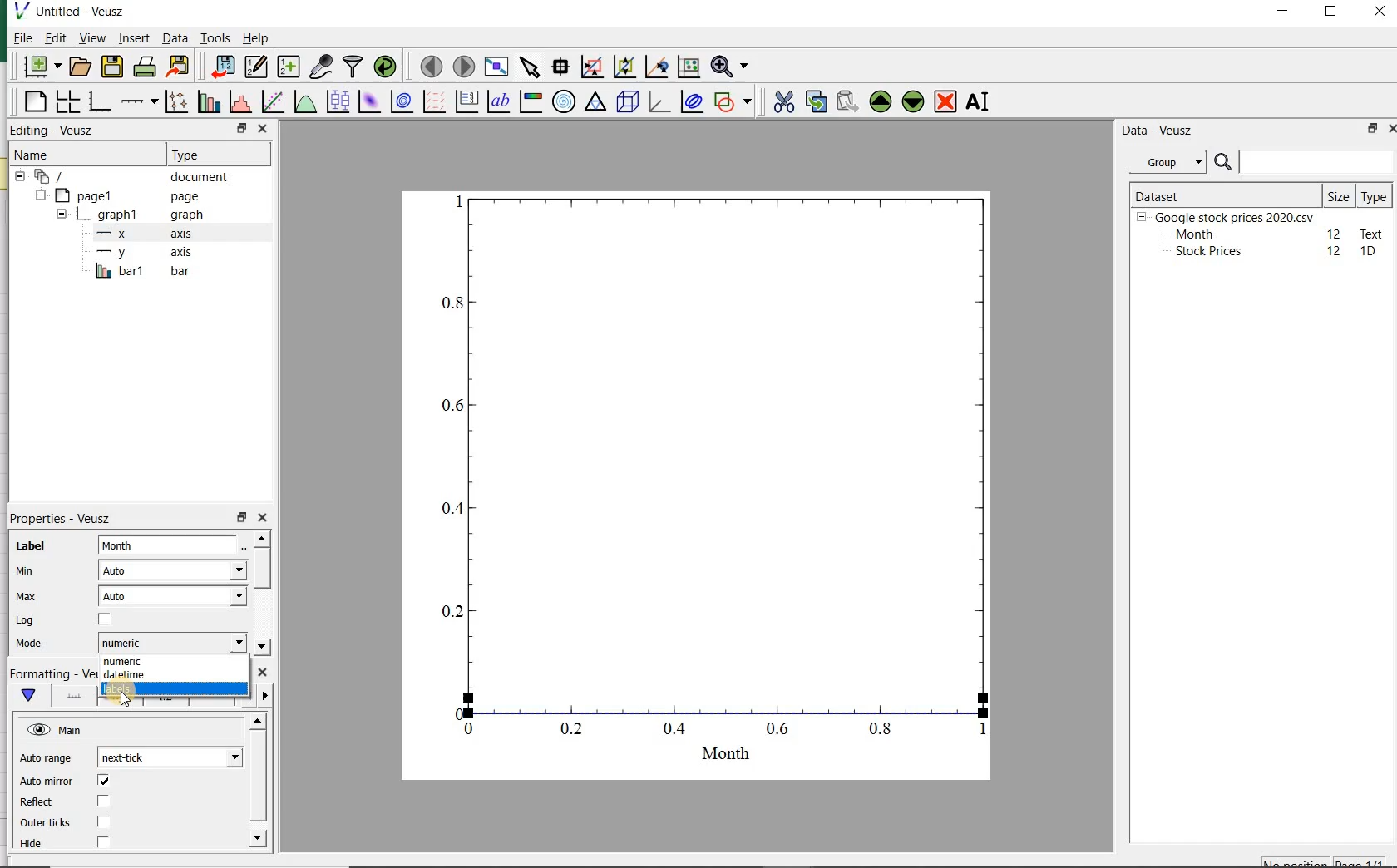 This screenshot has width=1397, height=868. What do you see at coordinates (1380, 12) in the screenshot?
I see `close` at bounding box center [1380, 12].